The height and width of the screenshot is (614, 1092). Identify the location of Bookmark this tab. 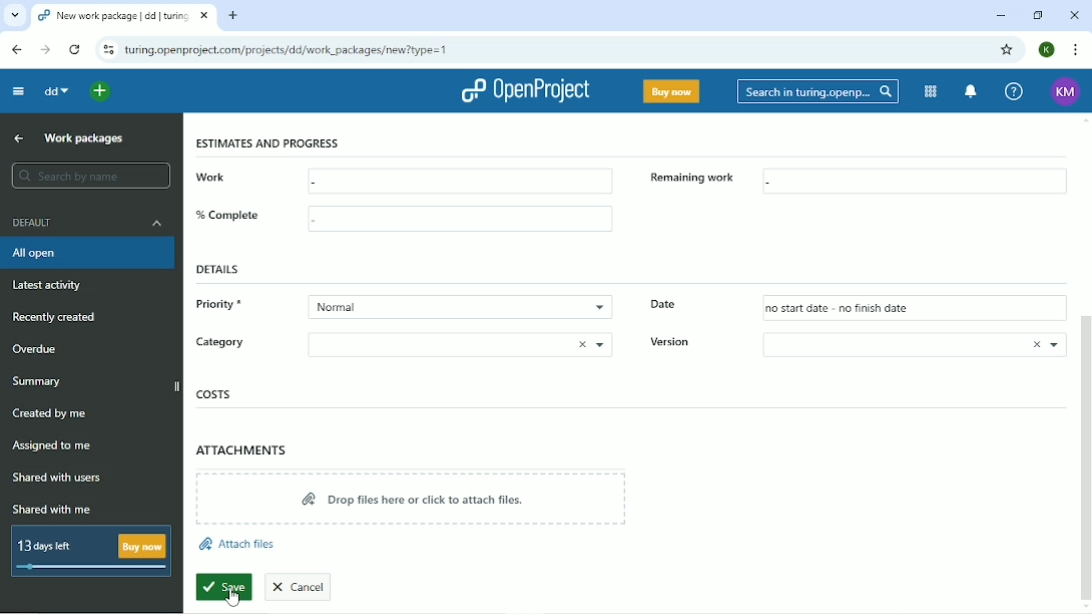
(1007, 50).